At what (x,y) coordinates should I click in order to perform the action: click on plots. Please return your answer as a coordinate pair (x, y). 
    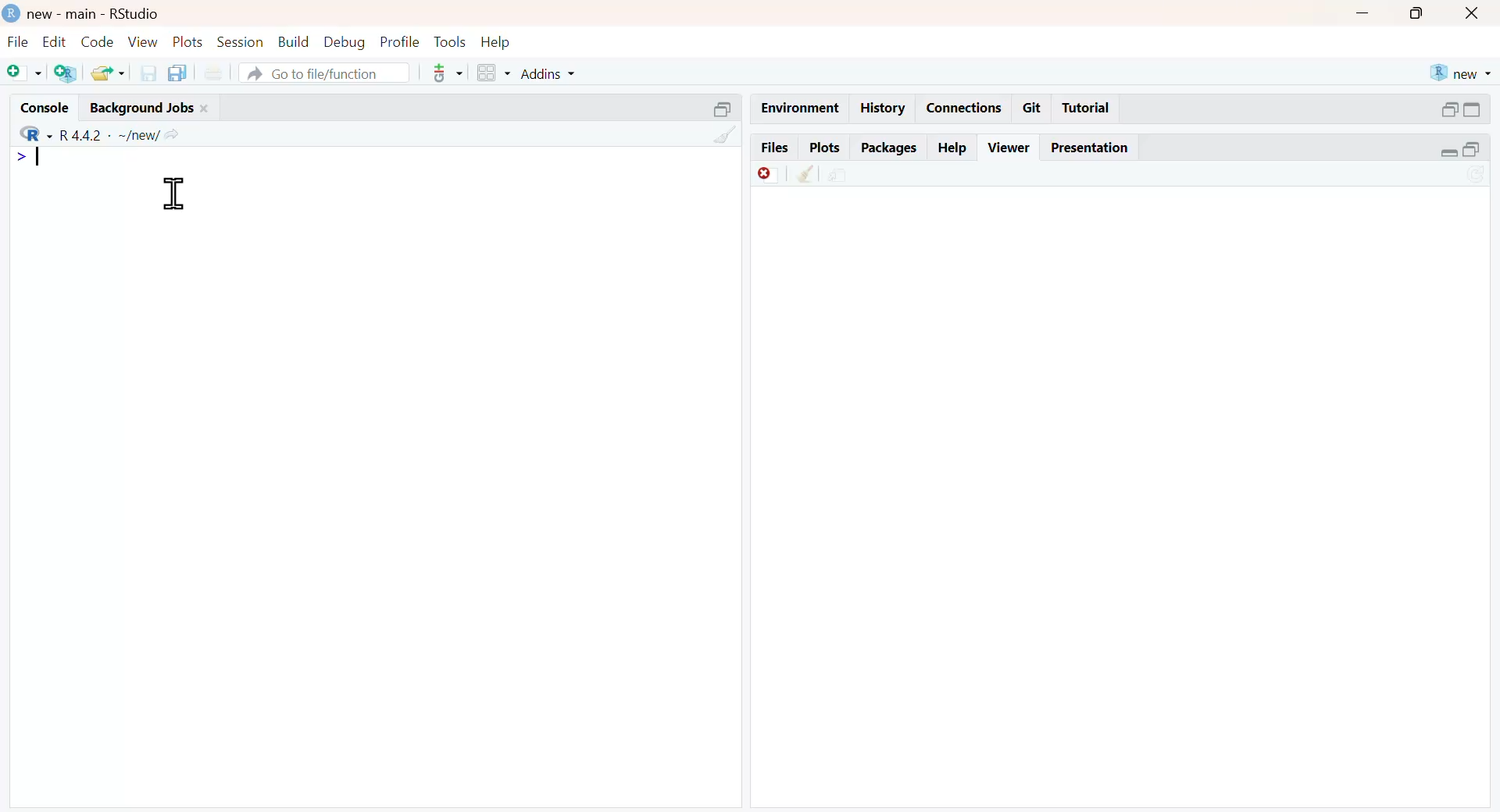
    Looking at the image, I should click on (189, 43).